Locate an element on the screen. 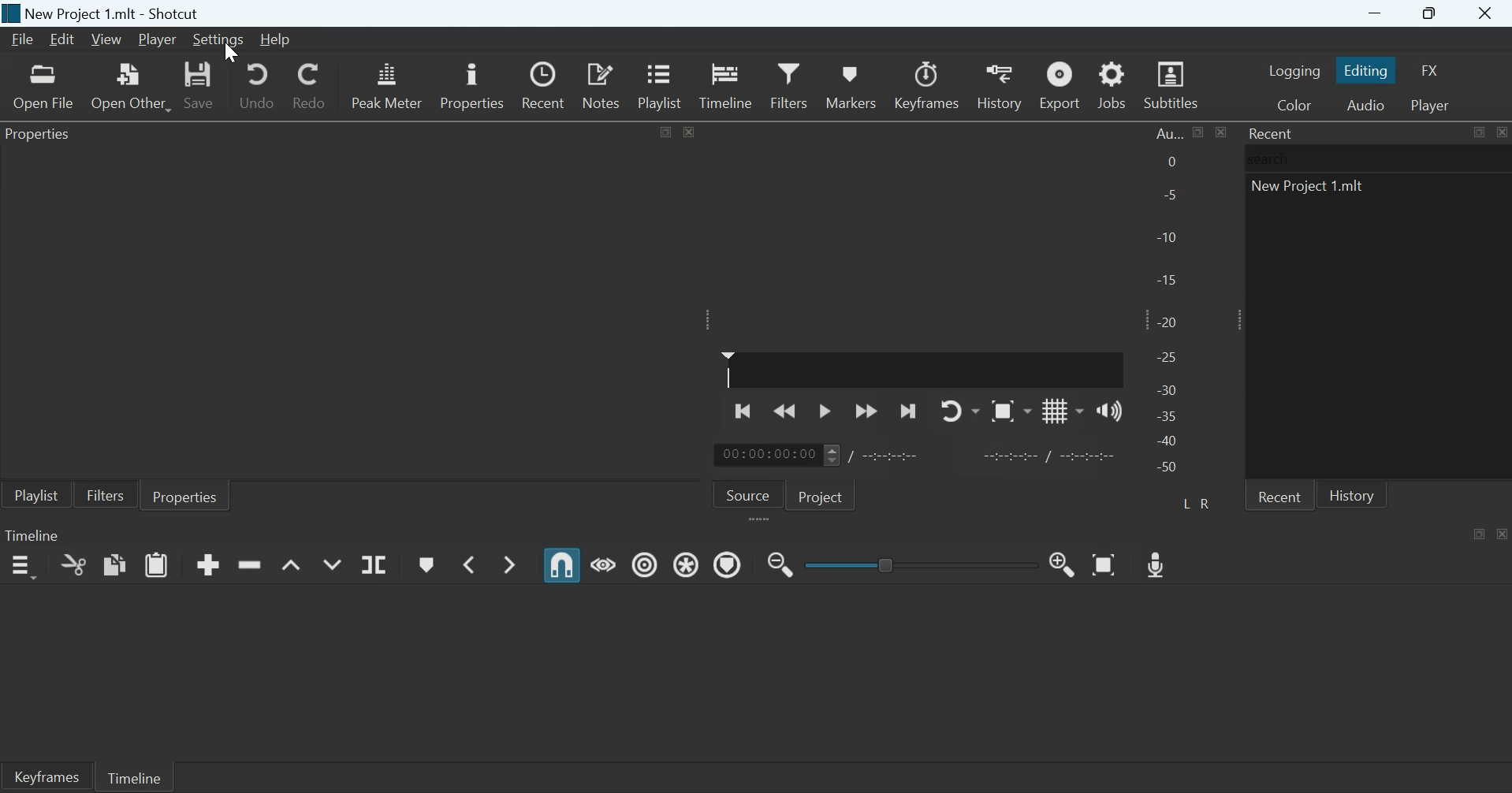 The height and width of the screenshot is (793, 1512). Open a device, stream or generator is located at coordinates (131, 86).